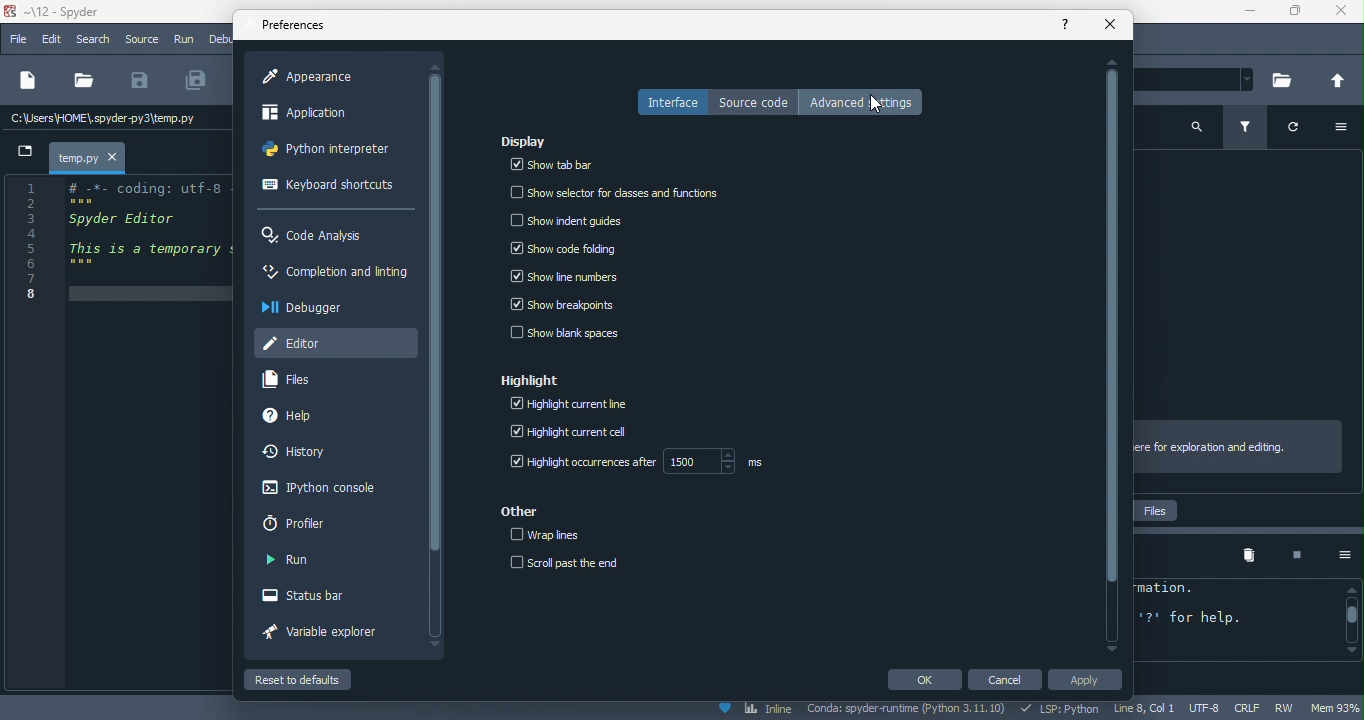  Describe the element at coordinates (436, 313) in the screenshot. I see `vertical scroll bar` at that location.